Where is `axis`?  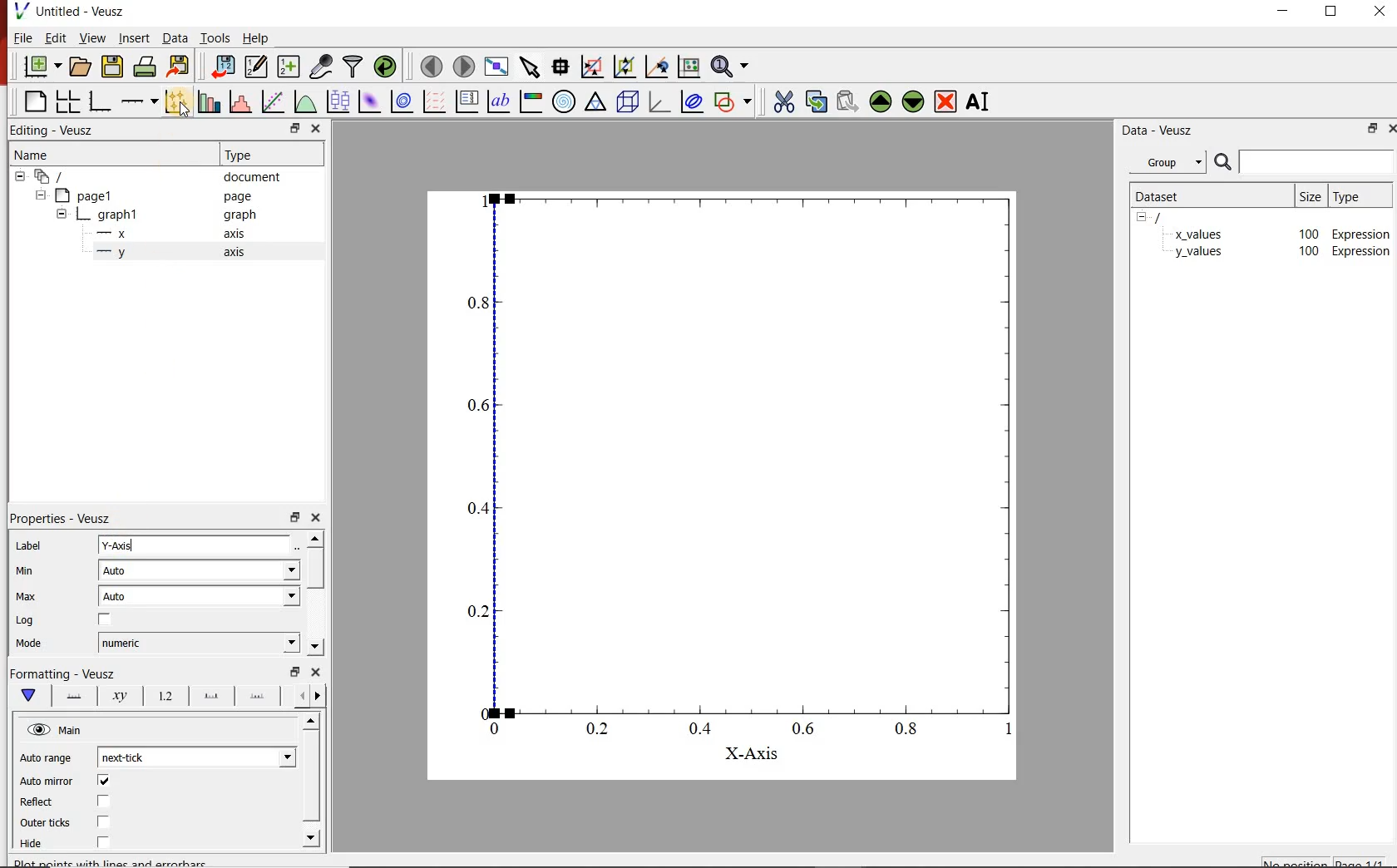 axis is located at coordinates (234, 253).